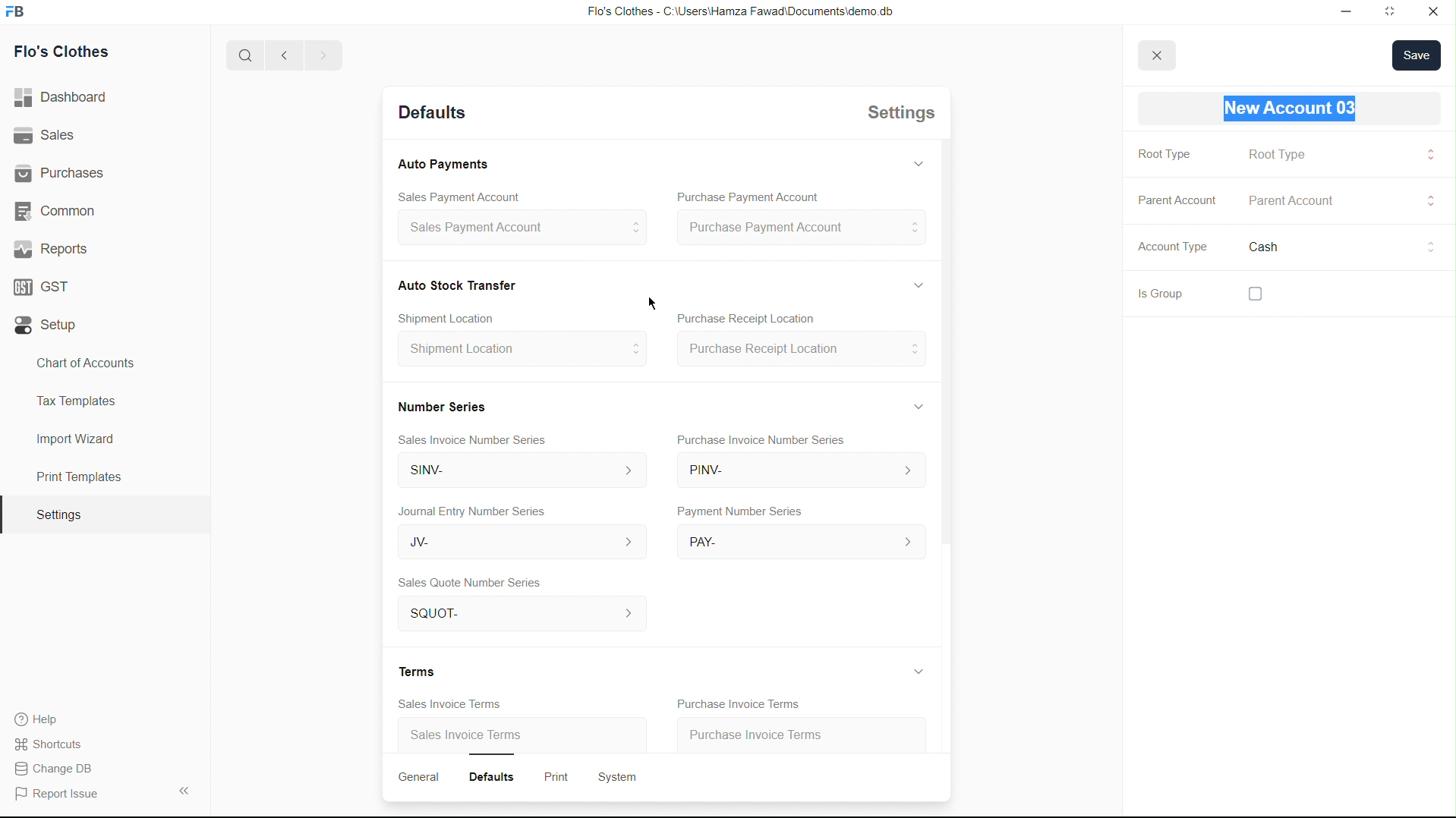 This screenshot has width=1456, height=818. I want to click on Print, so click(559, 775).